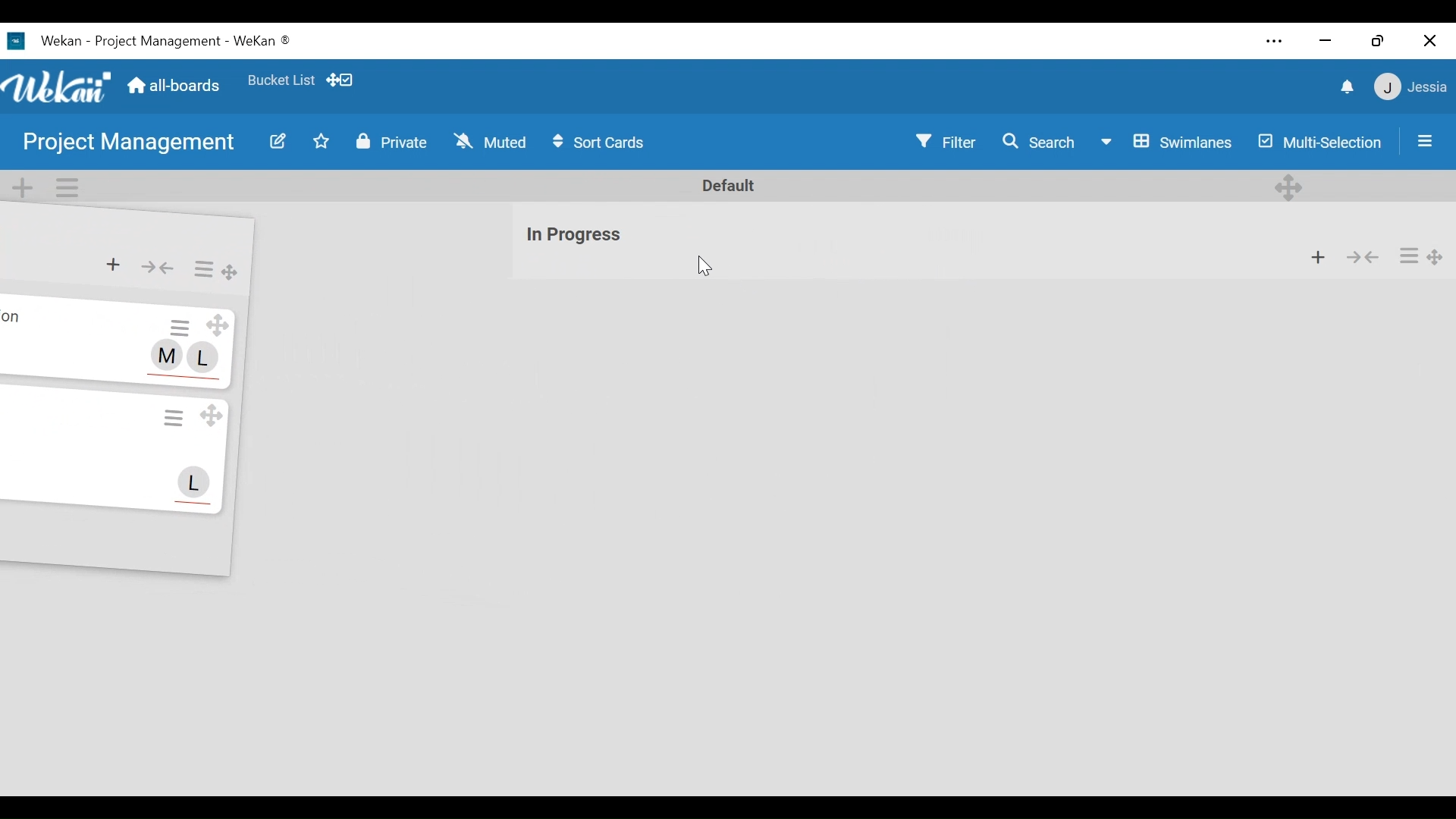 Image resolution: width=1456 pixels, height=819 pixels. What do you see at coordinates (193, 482) in the screenshot?
I see `L` at bounding box center [193, 482].